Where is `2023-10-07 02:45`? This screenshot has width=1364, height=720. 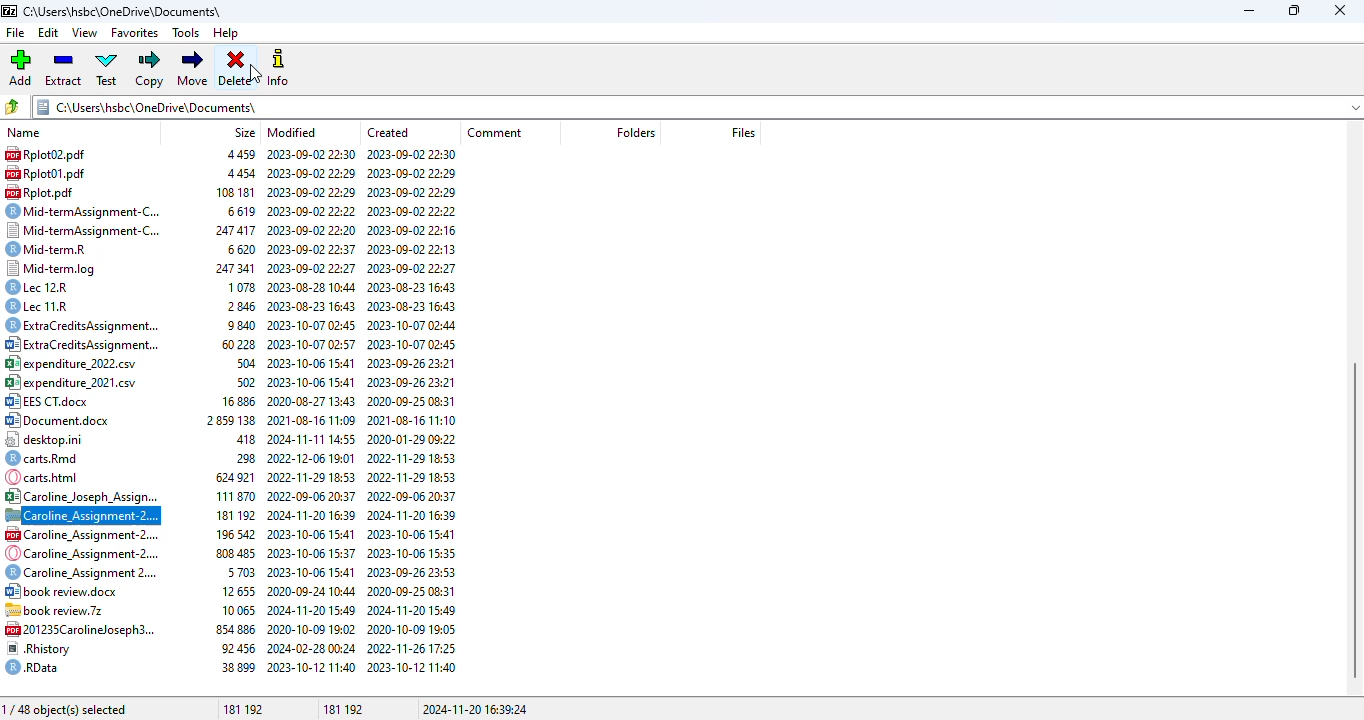 2023-10-07 02:45 is located at coordinates (316, 324).